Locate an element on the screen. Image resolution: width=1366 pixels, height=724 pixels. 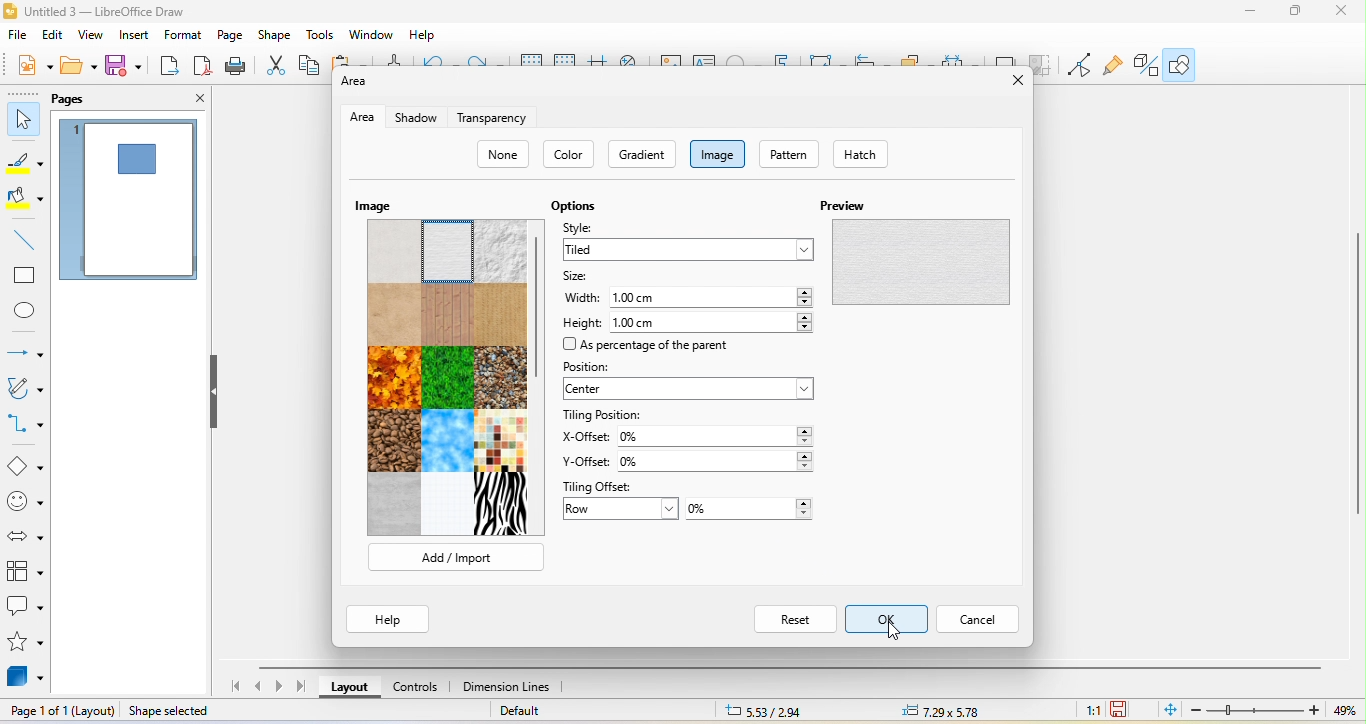
horizontal scroll bar is located at coordinates (794, 668).